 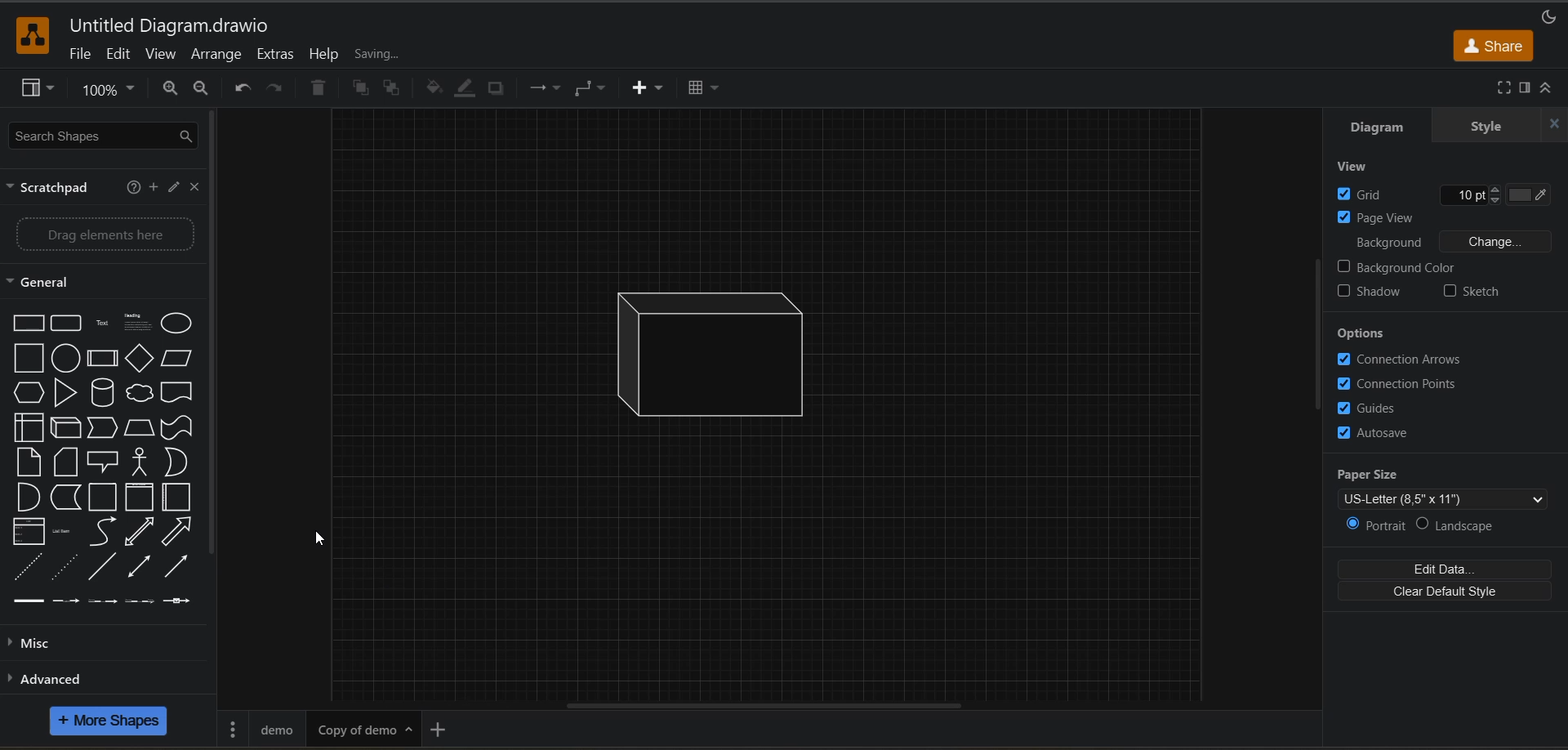 What do you see at coordinates (496, 87) in the screenshot?
I see `shadow` at bounding box center [496, 87].